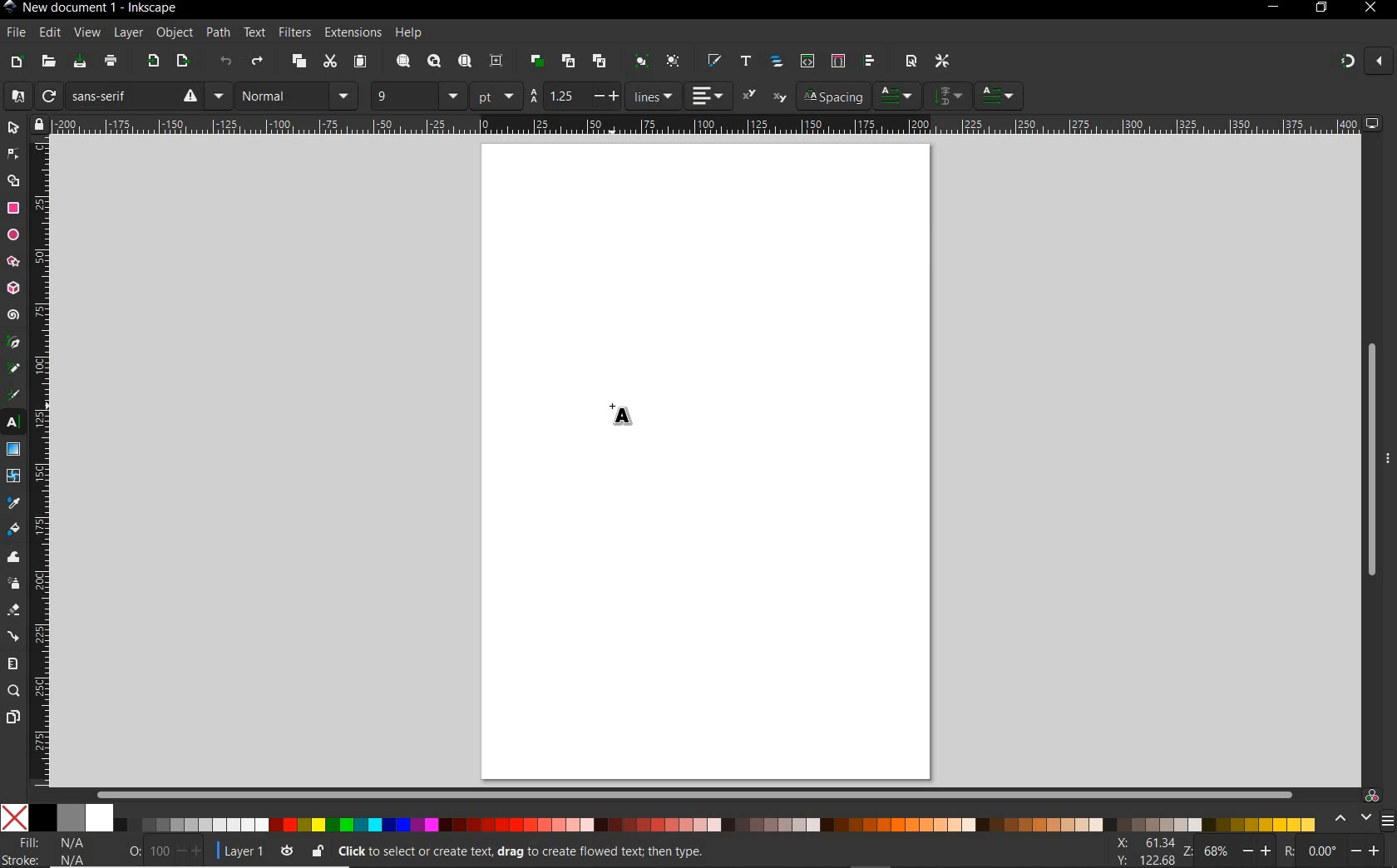 This screenshot has width=1397, height=868. Describe the element at coordinates (345, 96) in the screenshot. I see `menu` at that location.